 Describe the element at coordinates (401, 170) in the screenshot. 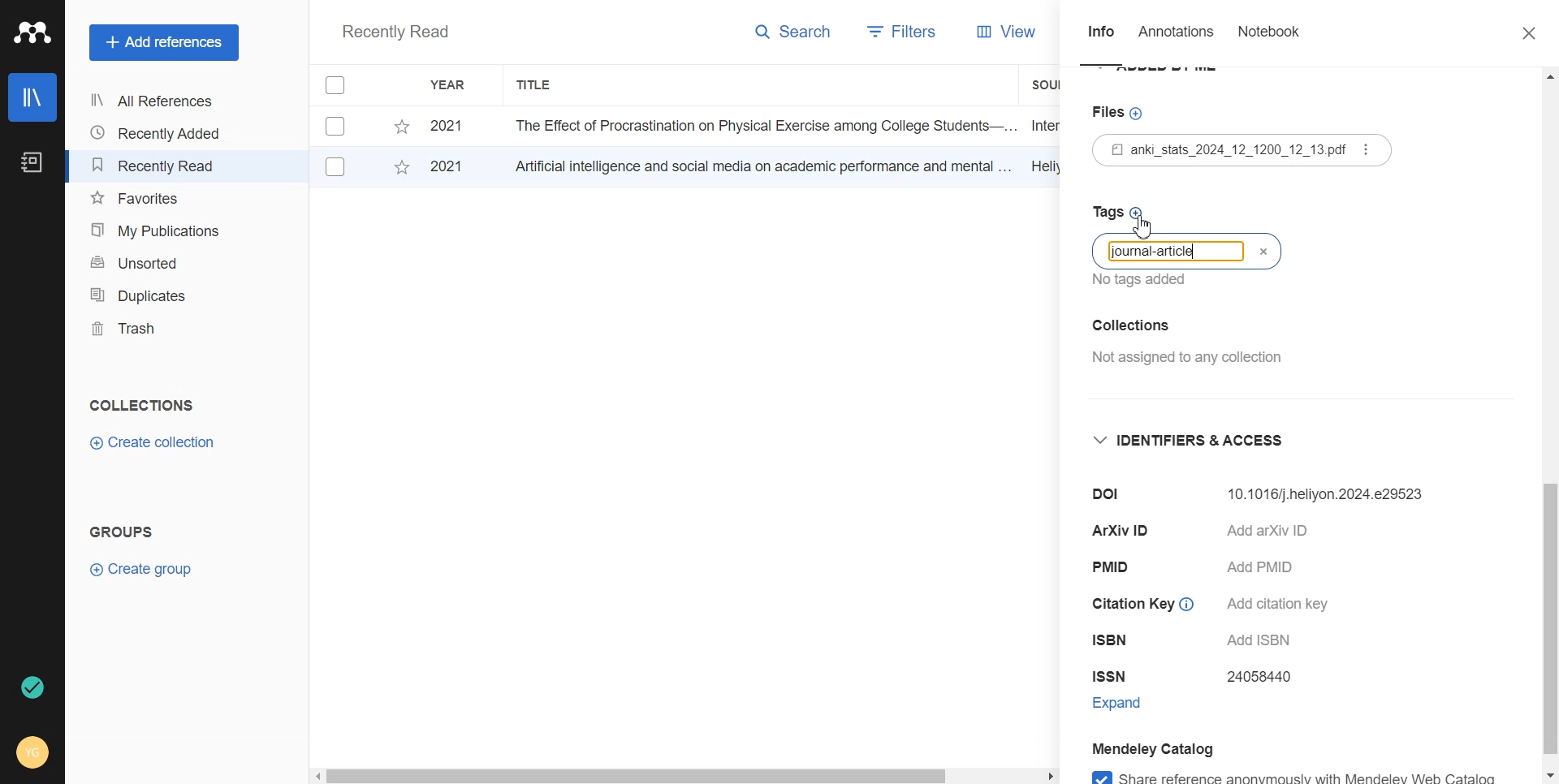

I see `Starred` at that location.